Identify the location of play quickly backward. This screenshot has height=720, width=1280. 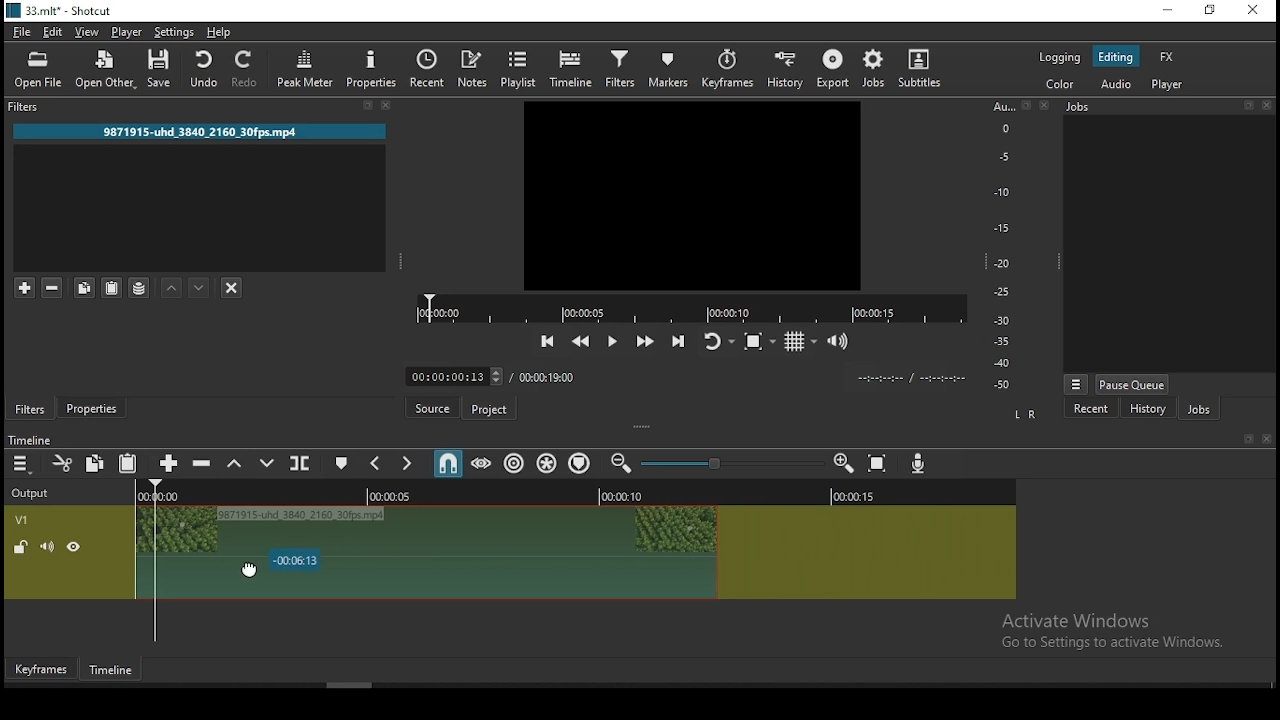
(583, 341).